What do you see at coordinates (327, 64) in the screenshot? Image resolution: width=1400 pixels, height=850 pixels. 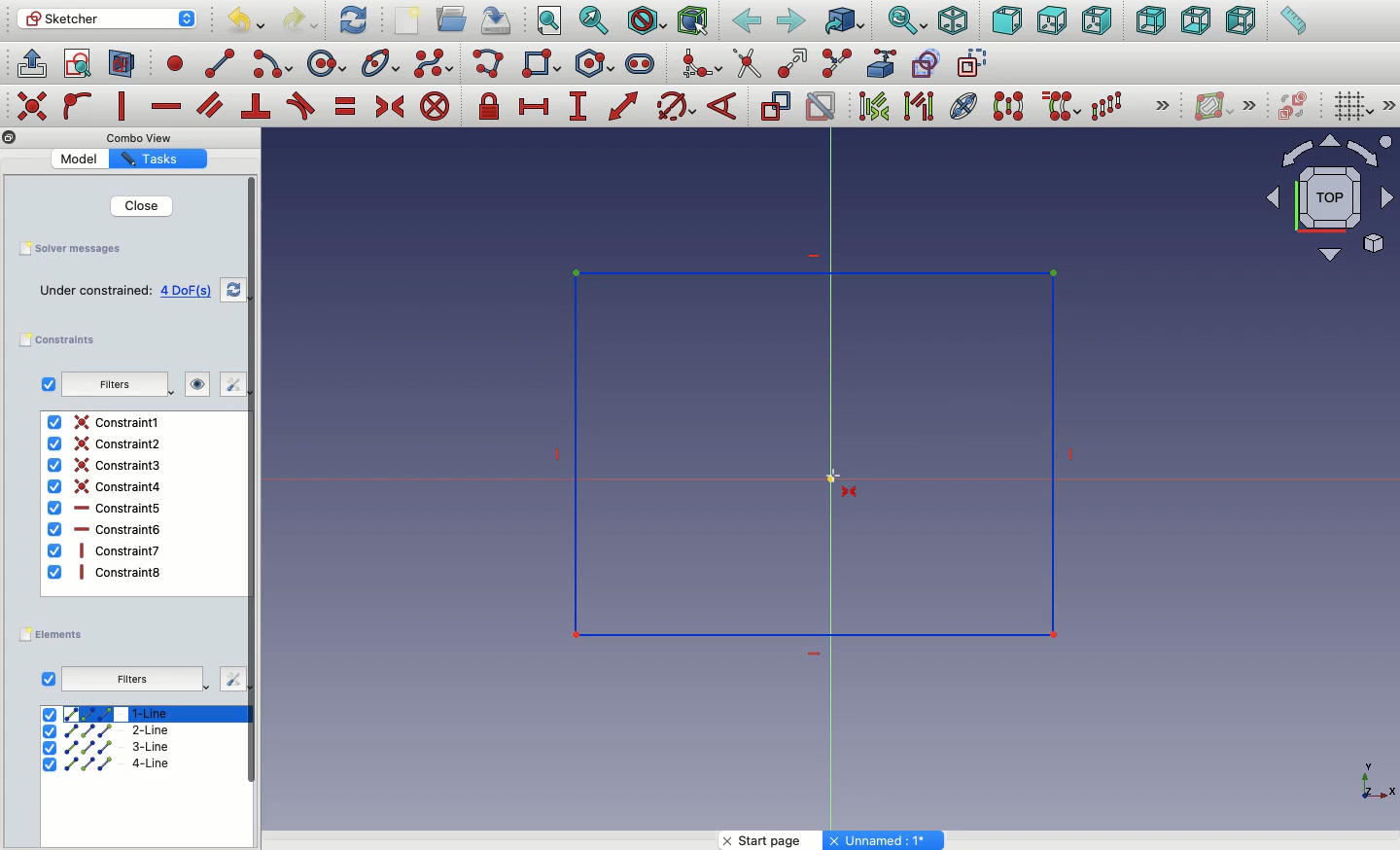 I see `circle` at bounding box center [327, 64].